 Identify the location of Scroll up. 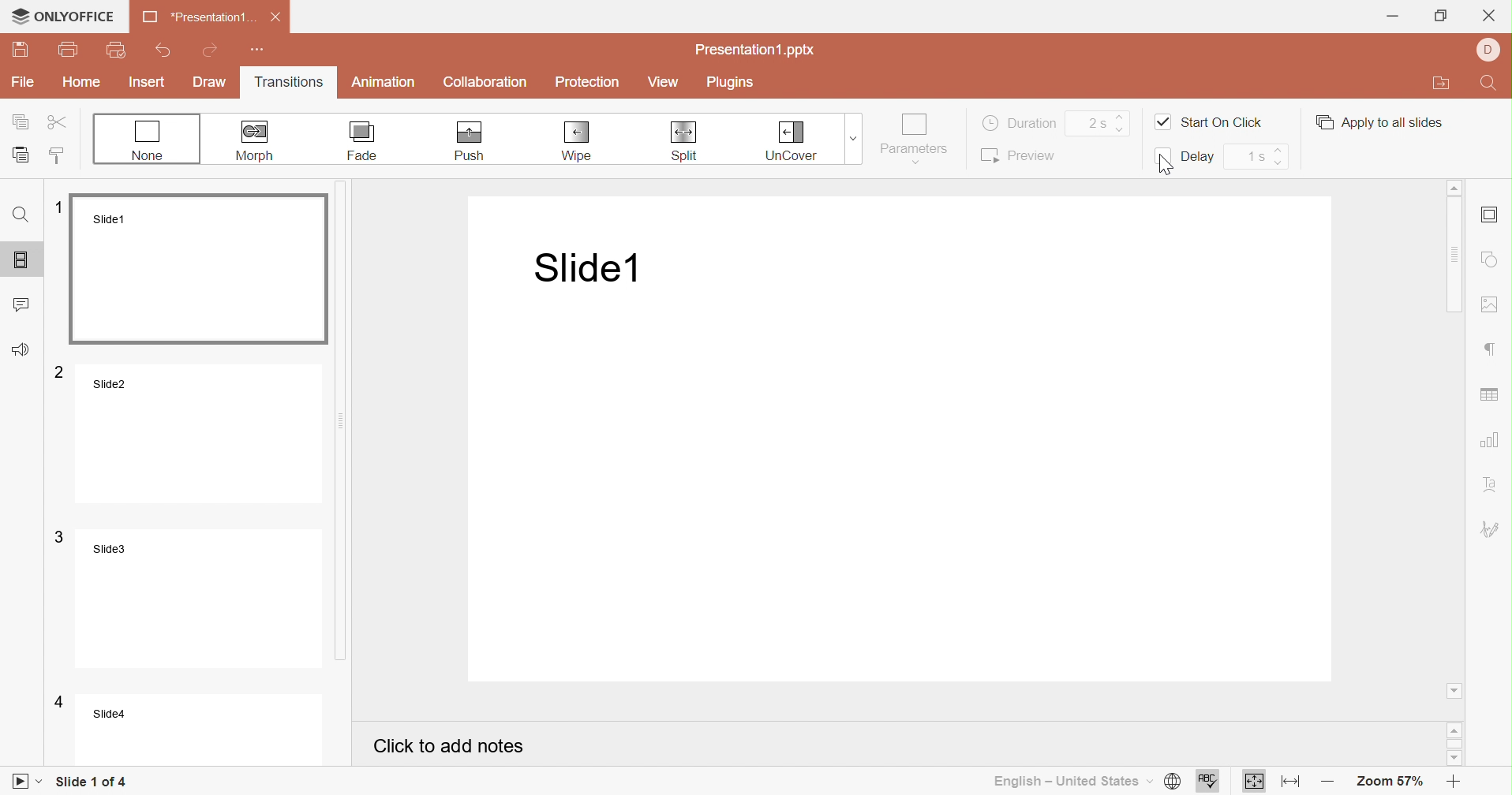
(1454, 733).